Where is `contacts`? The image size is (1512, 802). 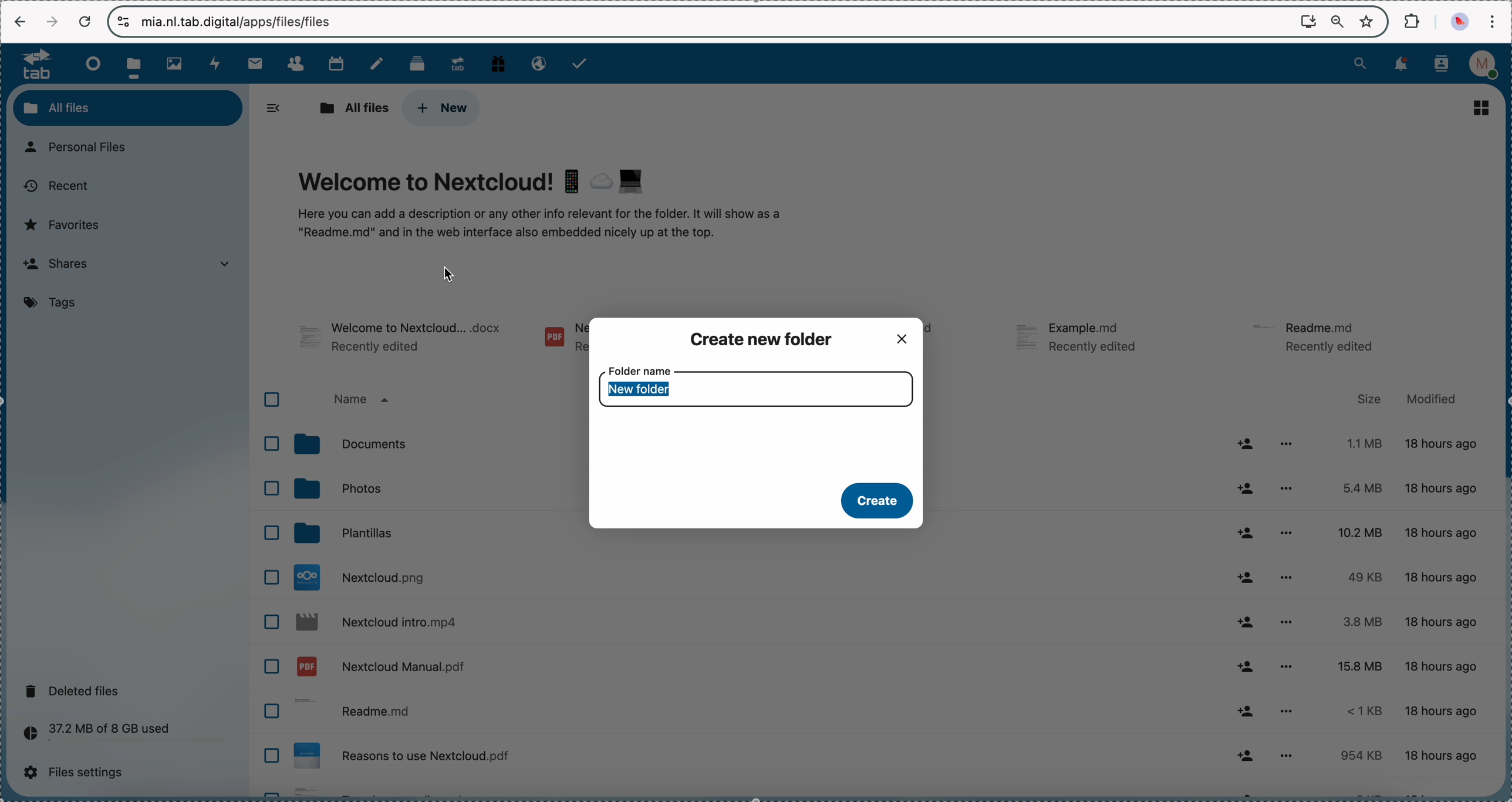
contacts is located at coordinates (1442, 65).